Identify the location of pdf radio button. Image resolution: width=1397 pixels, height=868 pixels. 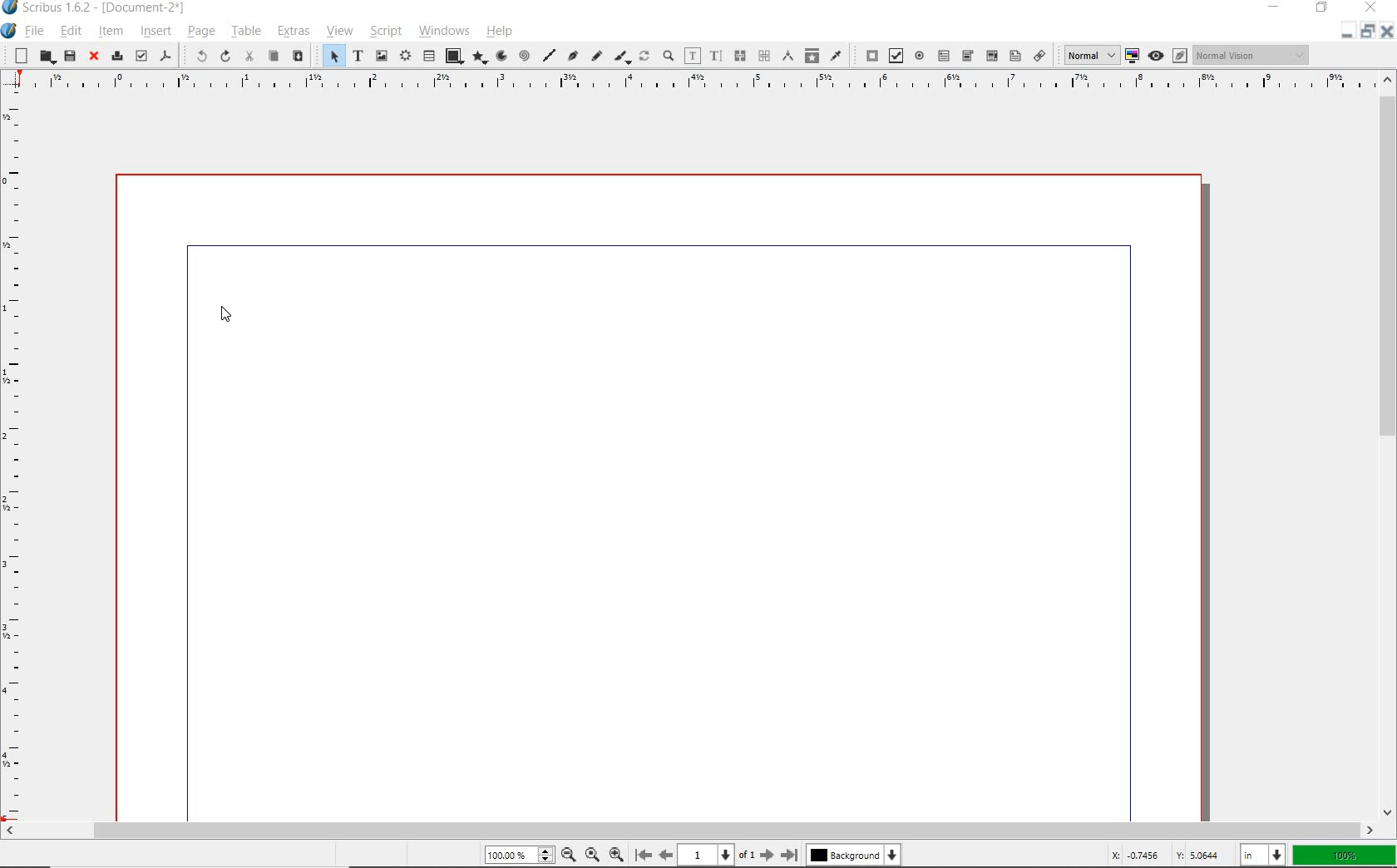
(919, 56).